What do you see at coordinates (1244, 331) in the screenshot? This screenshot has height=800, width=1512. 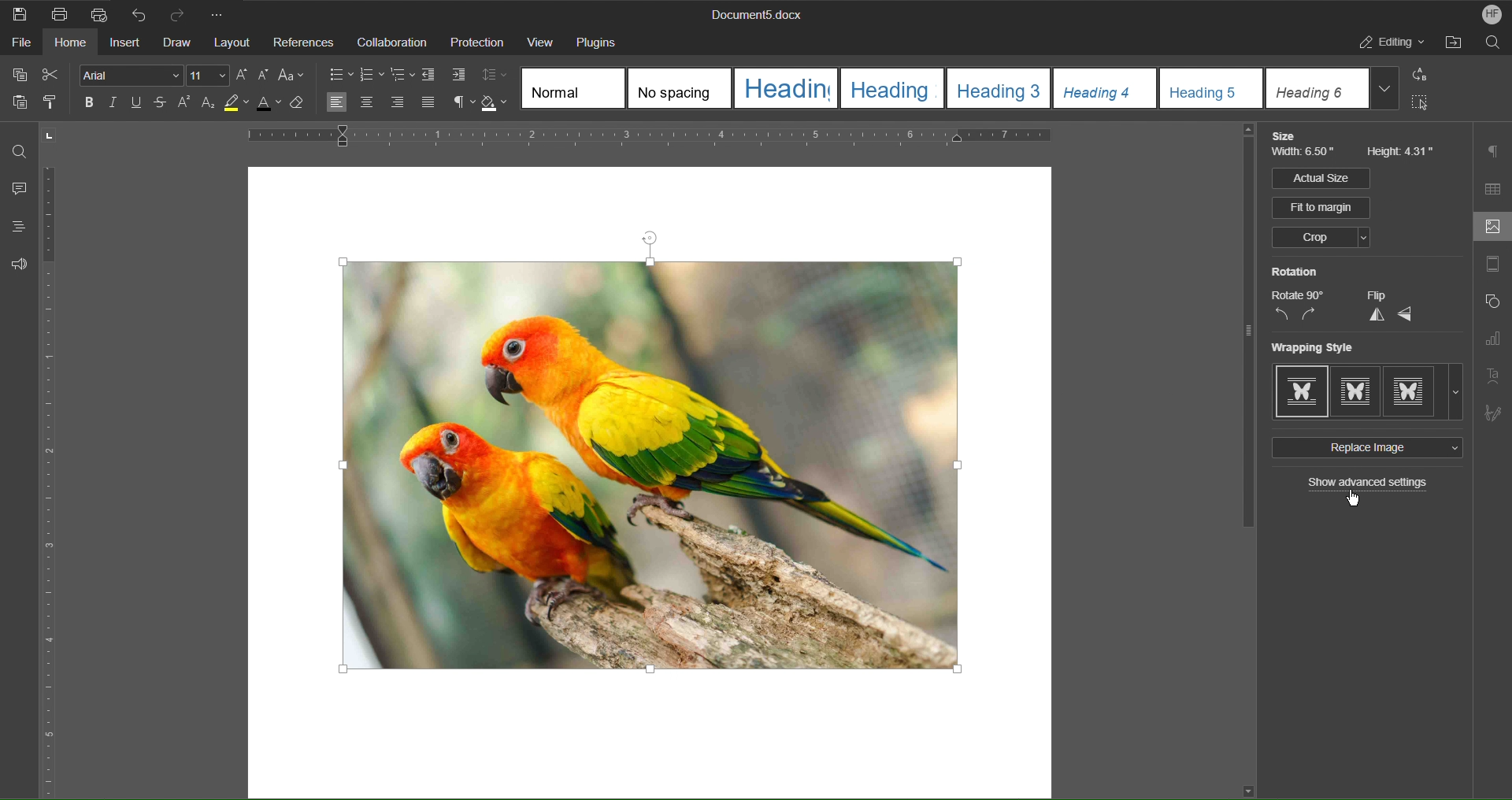 I see `scroll bar` at bounding box center [1244, 331].